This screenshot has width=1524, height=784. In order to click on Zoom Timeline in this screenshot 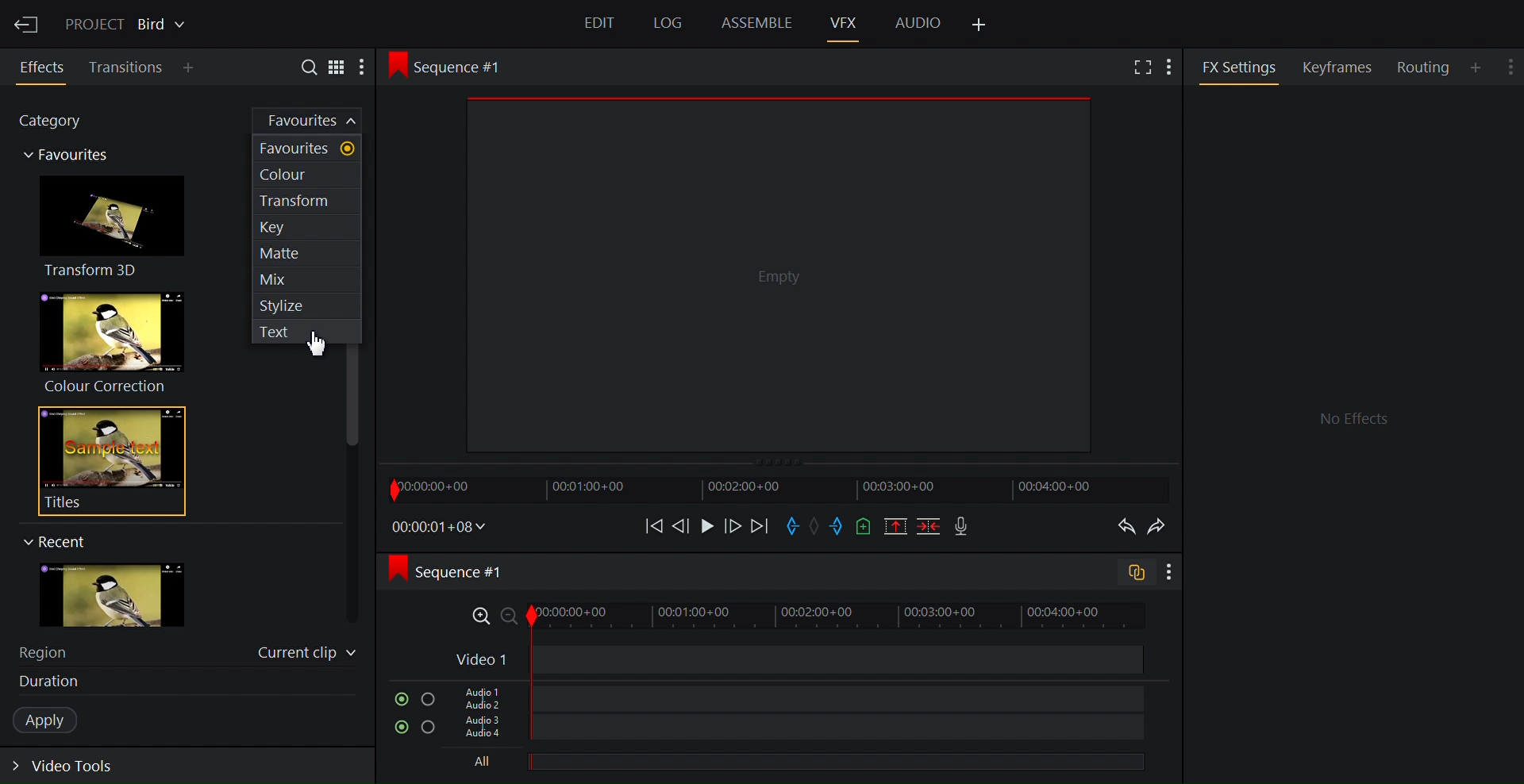, I will do `click(799, 617)`.